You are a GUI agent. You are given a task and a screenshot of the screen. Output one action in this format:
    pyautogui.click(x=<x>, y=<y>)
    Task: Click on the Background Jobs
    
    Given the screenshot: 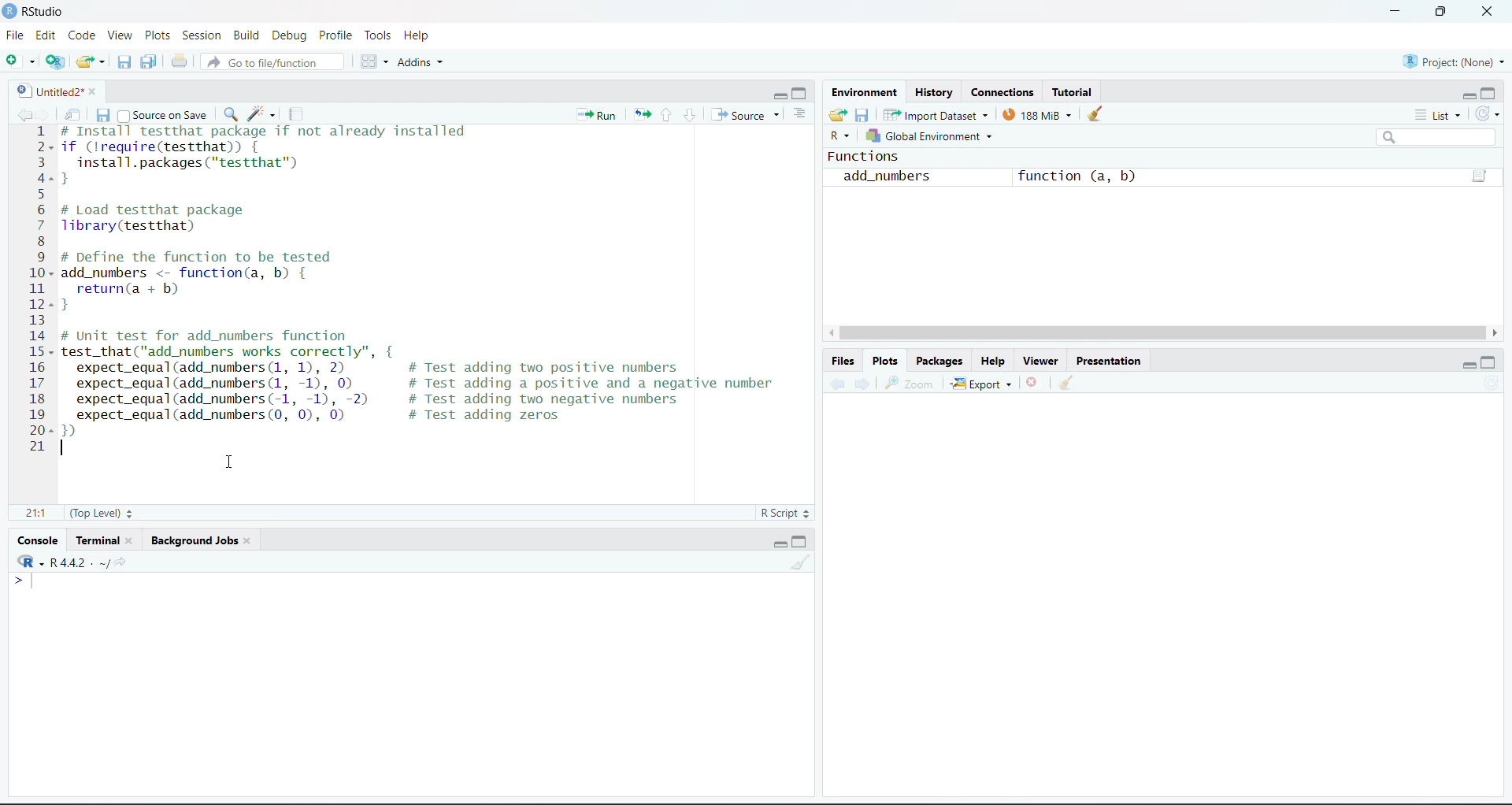 What is the action you would take?
    pyautogui.click(x=193, y=539)
    